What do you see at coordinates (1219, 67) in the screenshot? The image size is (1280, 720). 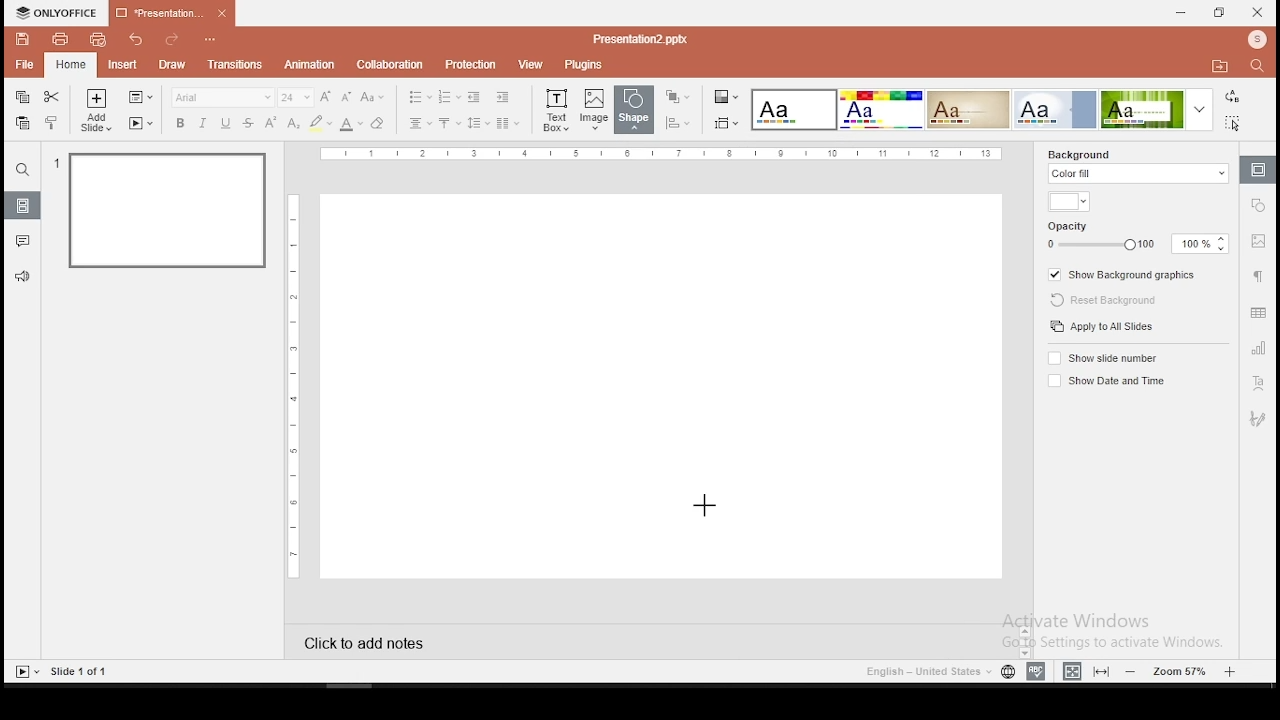 I see `open file location` at bounding box center [1219, 67].